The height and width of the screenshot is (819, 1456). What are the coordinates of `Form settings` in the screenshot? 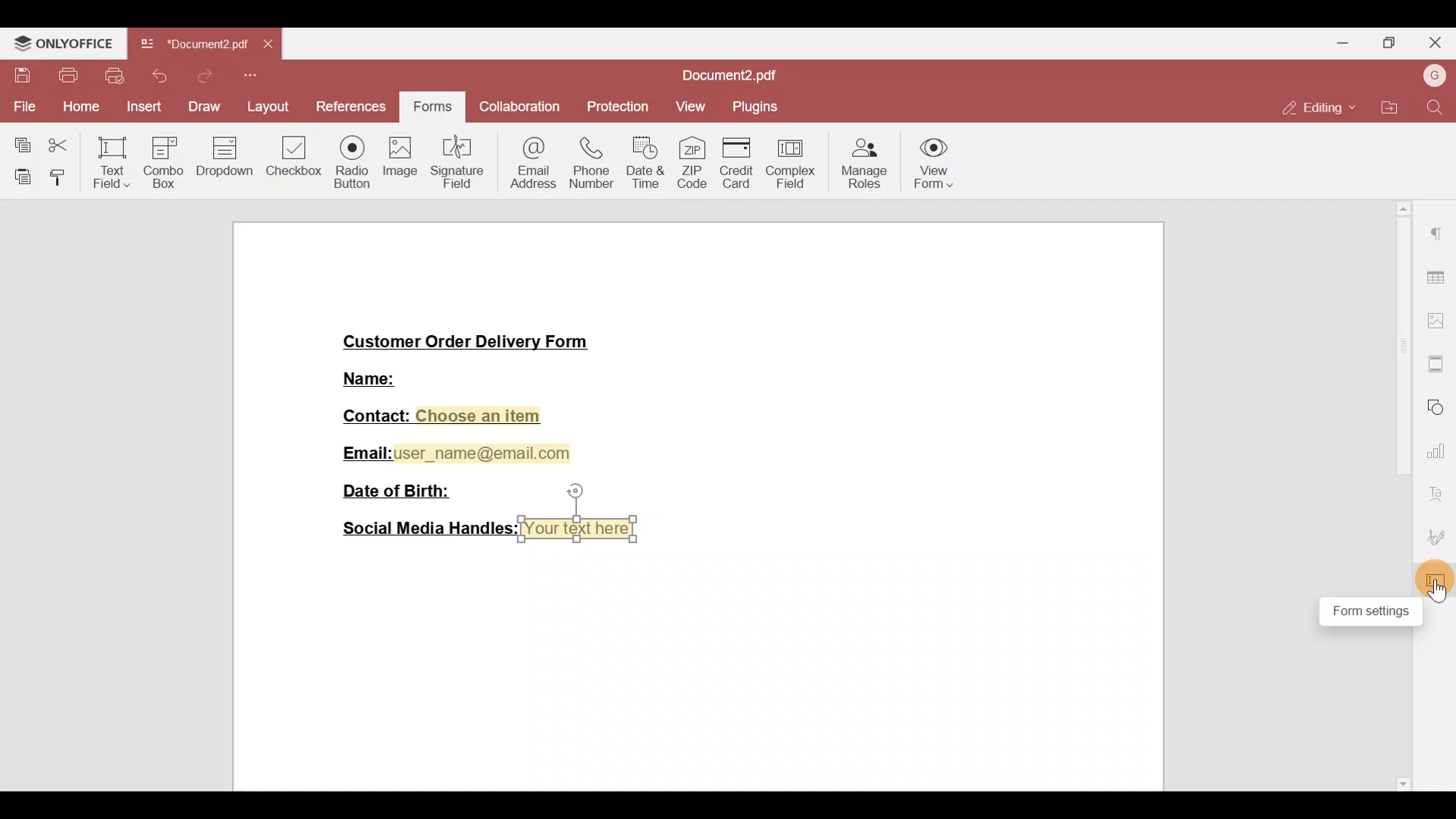 It's located at (1438, 579).